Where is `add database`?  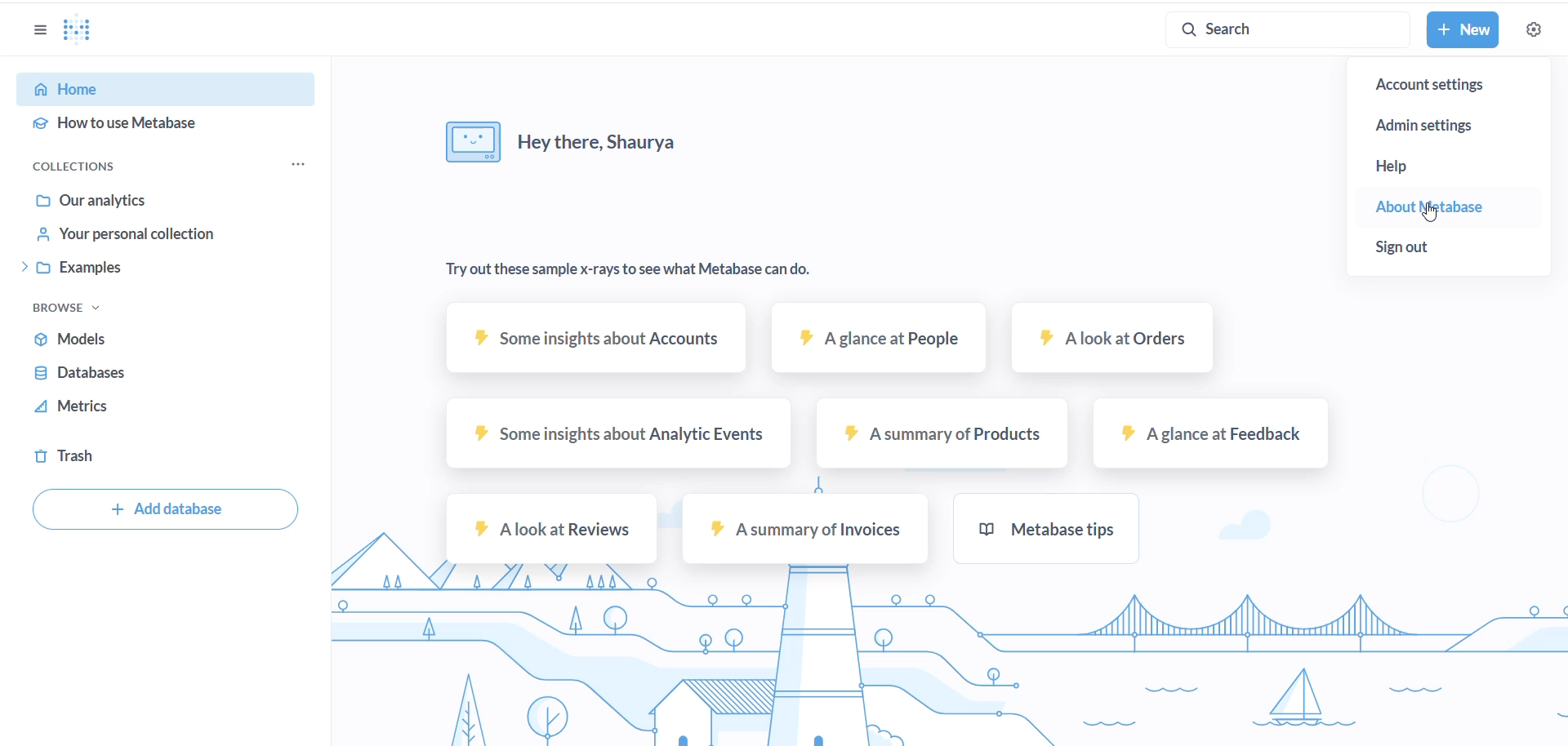 add database is located at coordinates (165, 512).